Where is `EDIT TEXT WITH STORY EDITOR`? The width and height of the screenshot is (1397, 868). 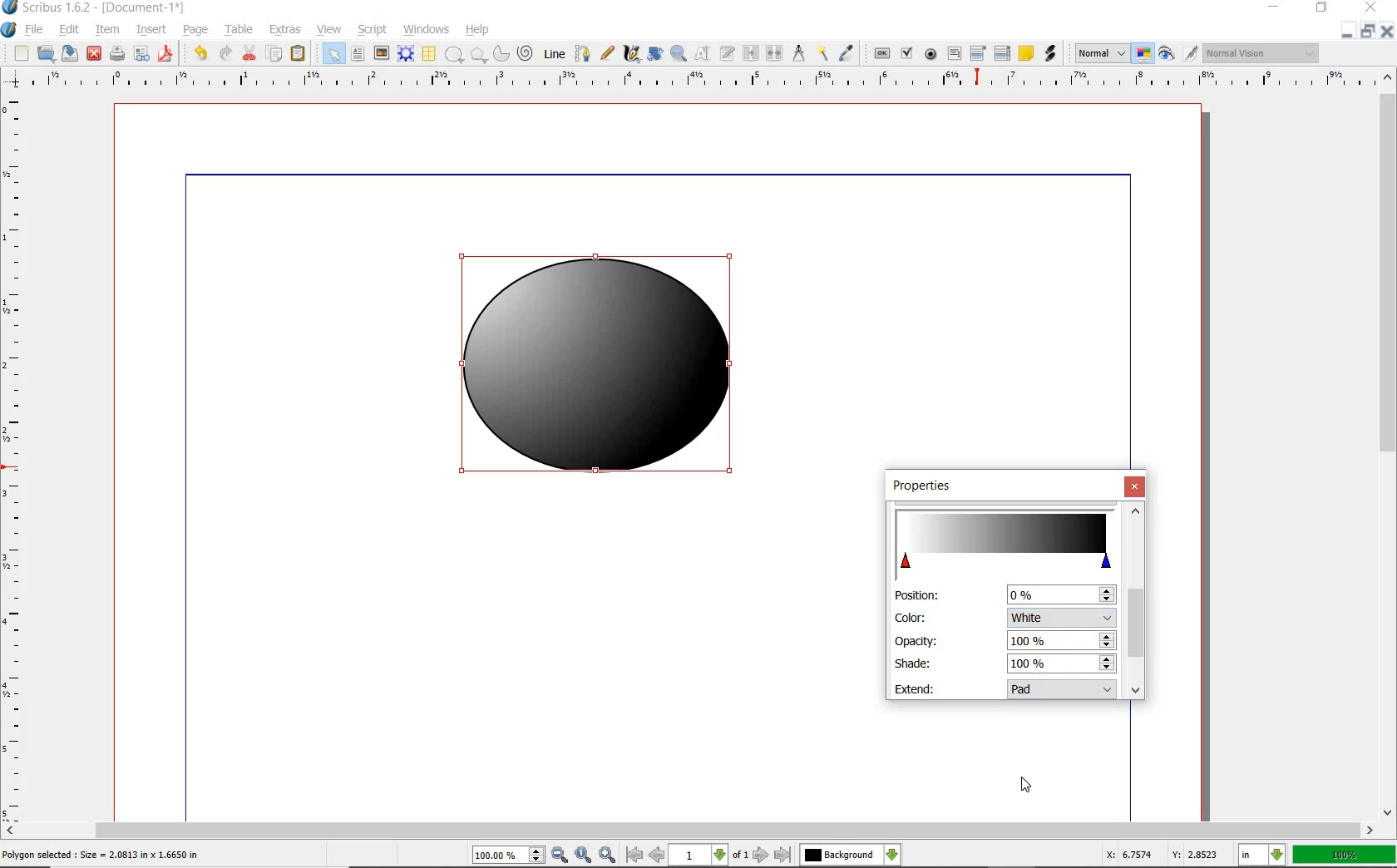
EDIT TEXT WITH STORY EDITOR is located at coordinates (728, 53).